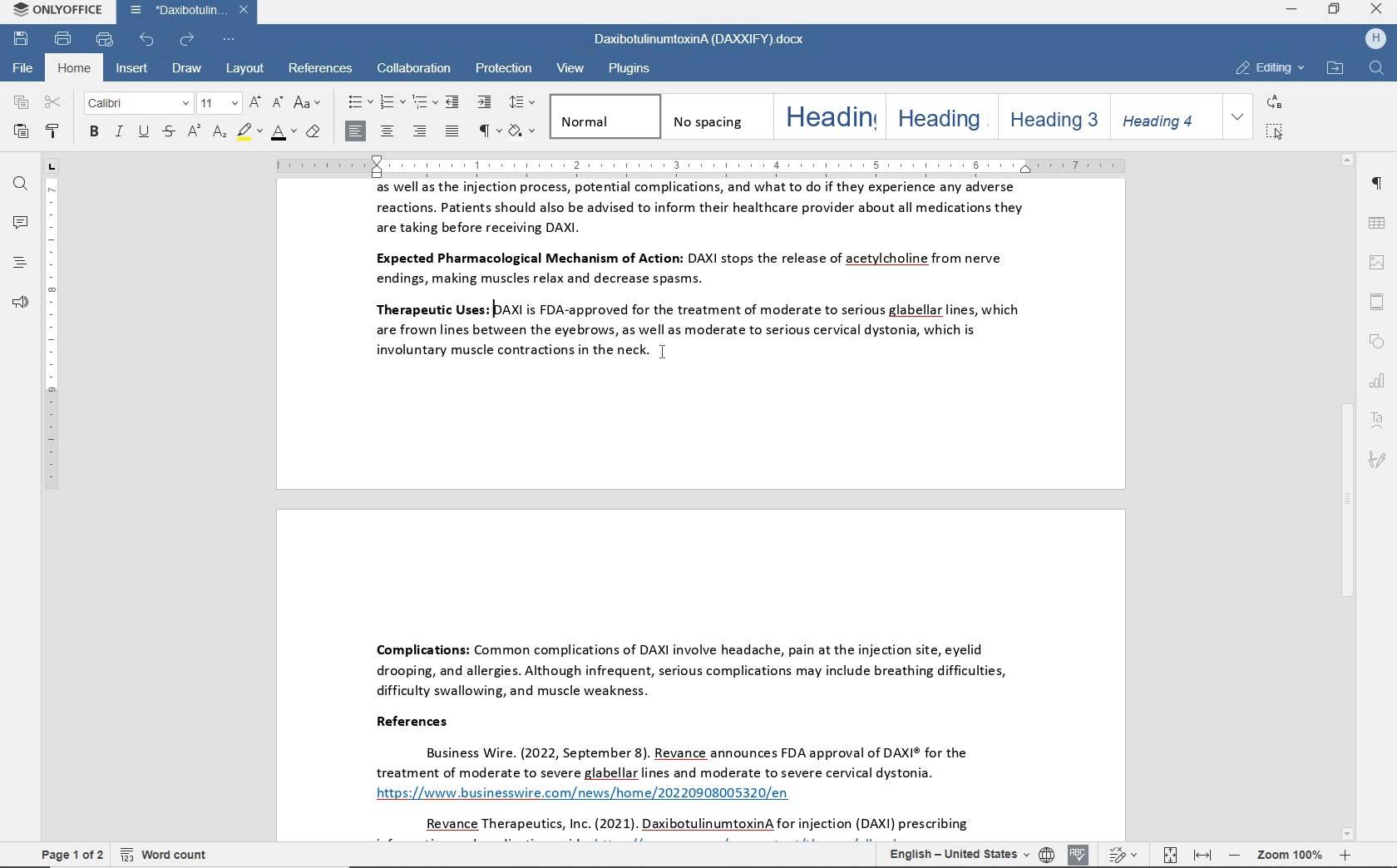 Image resolution: width=1397 pixels, height=868 pixels. Describe the element at coordinates (1379, 460) in the screenshot. I see `signature` at that location.